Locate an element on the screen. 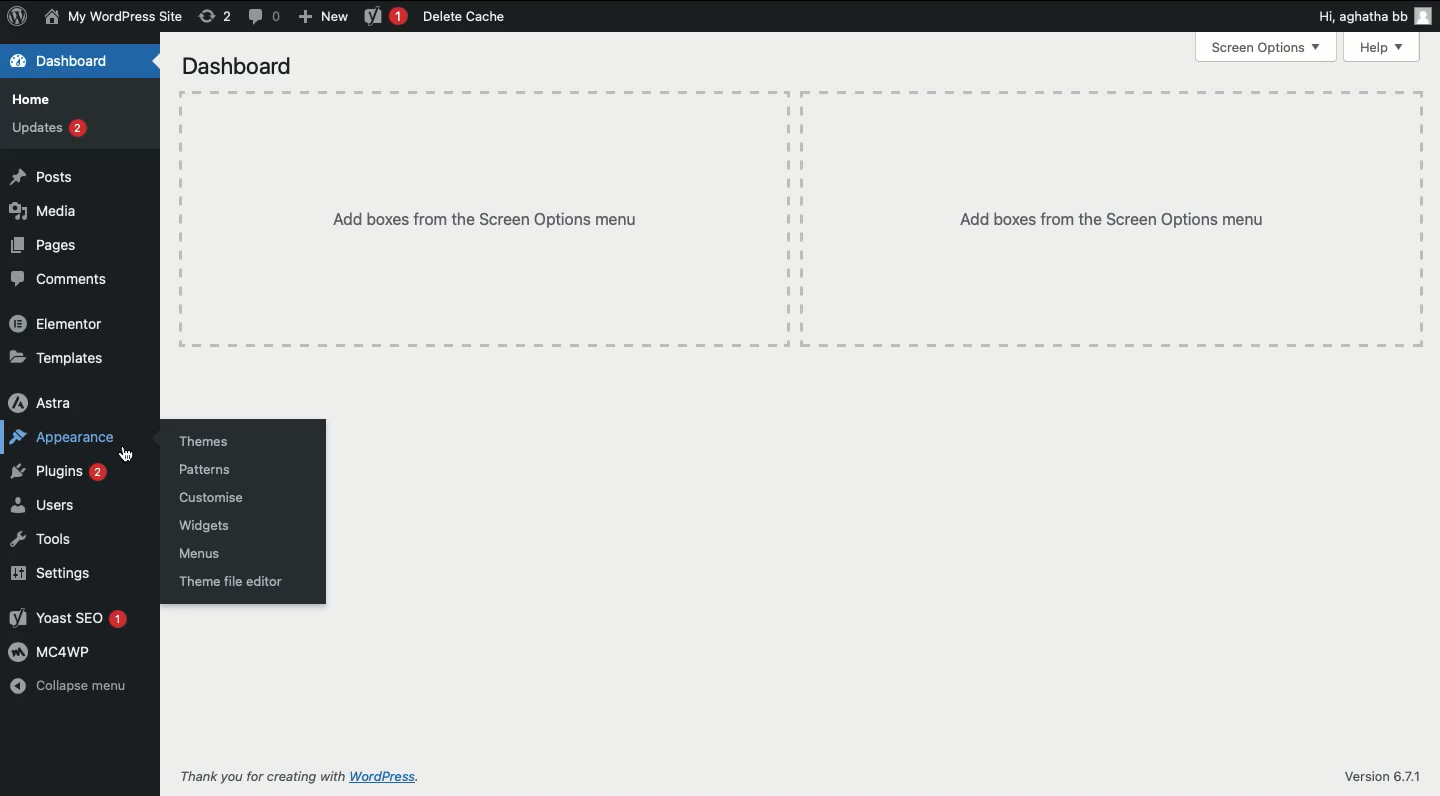 The image size is (1440, 796). comments is located at coordinates (266, 18).